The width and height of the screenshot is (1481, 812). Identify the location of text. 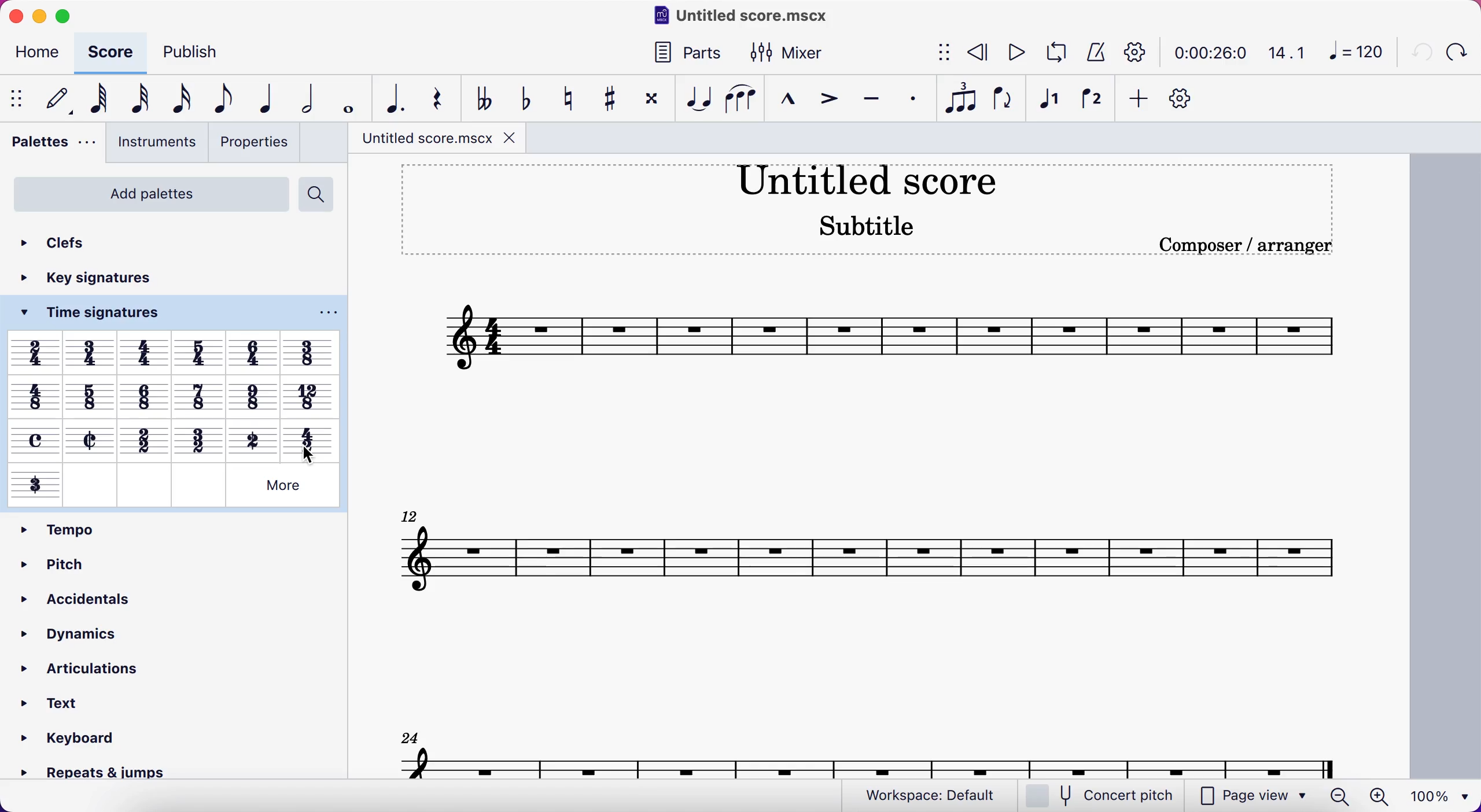
(57, 701).